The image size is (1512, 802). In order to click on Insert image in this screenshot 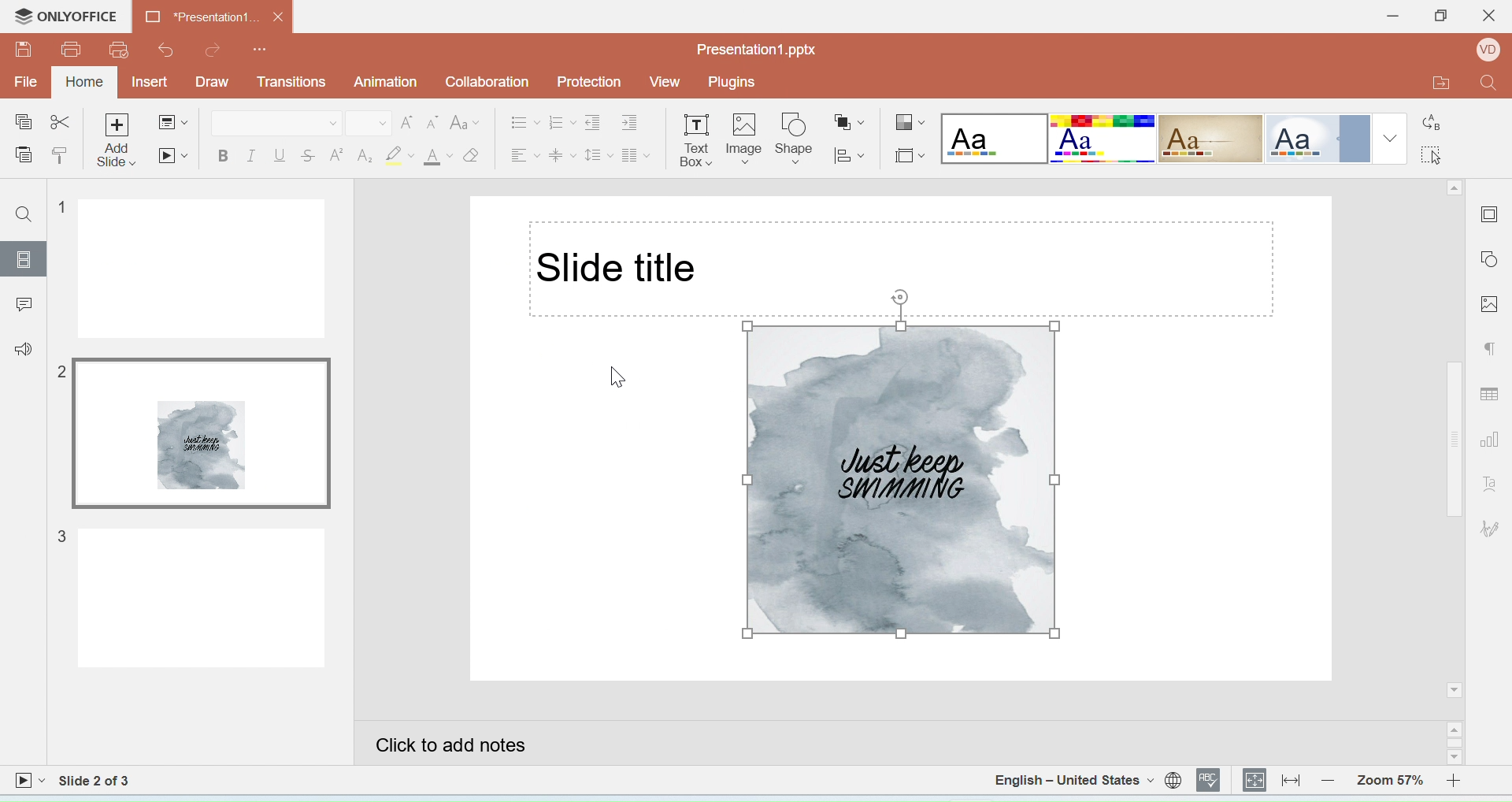, I will do `click(745, 141)`.